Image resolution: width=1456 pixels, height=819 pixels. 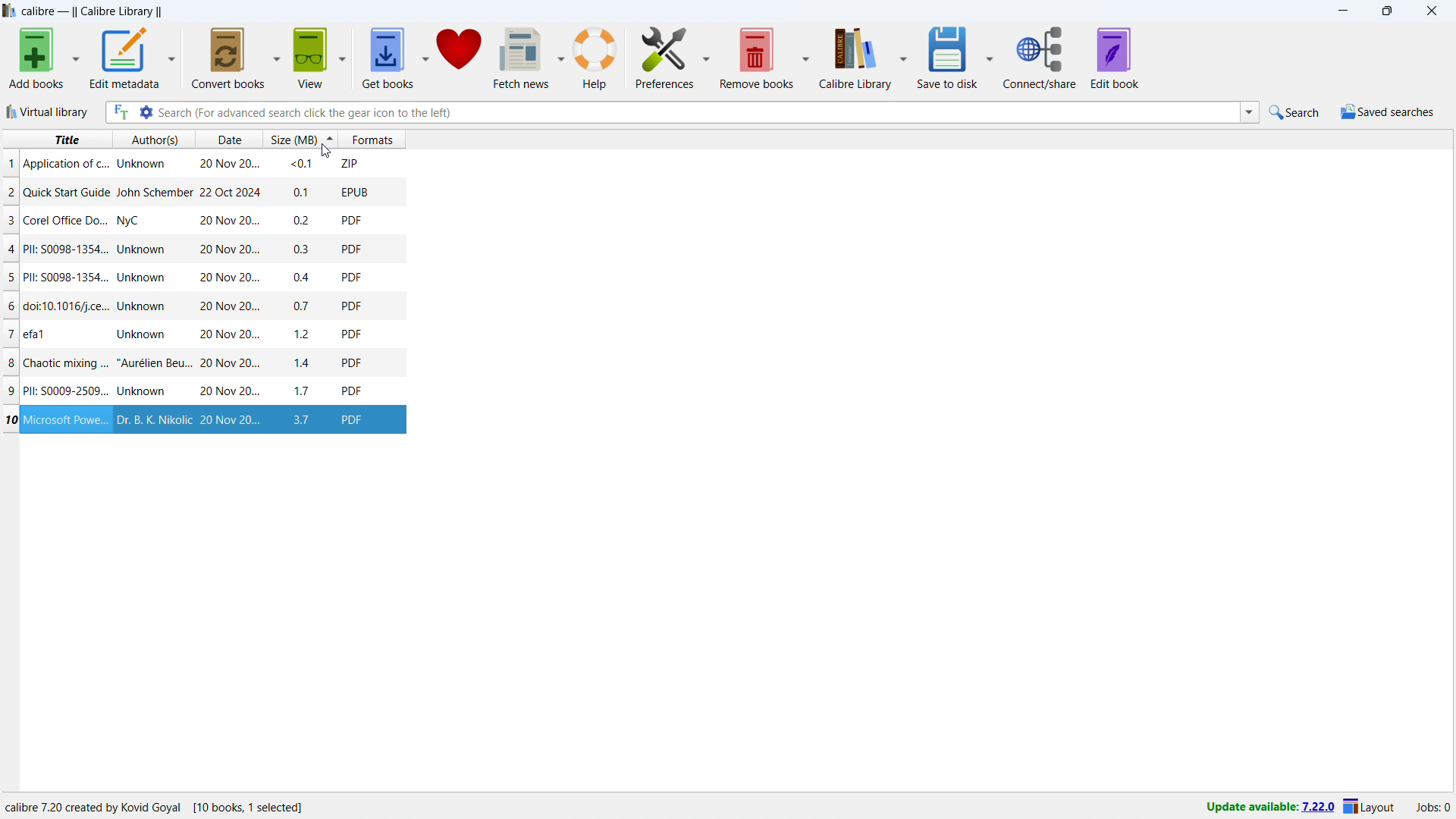 I want to click on search history, so click(x=1249, y=114).